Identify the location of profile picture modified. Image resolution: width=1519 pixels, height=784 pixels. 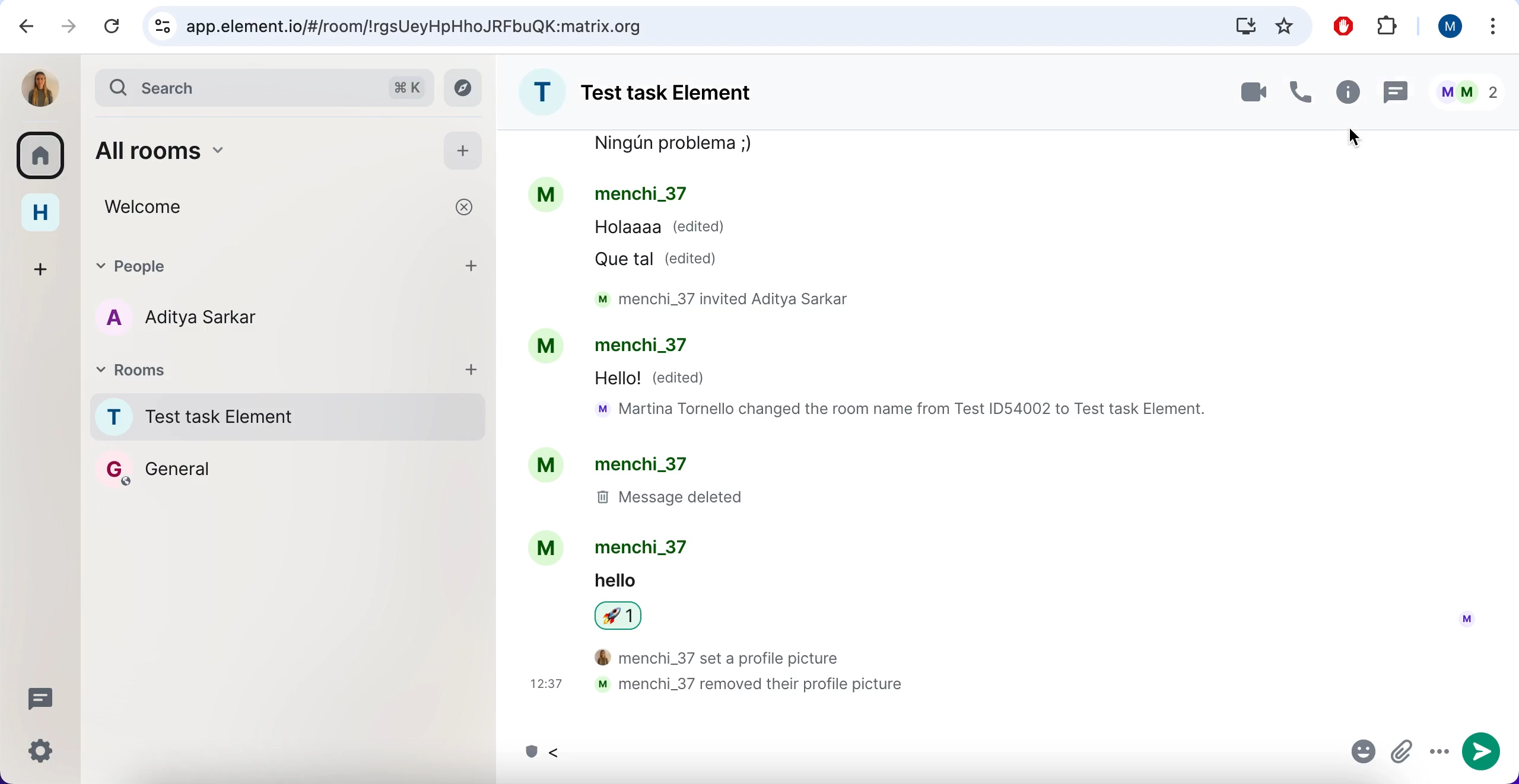
(40, 88).